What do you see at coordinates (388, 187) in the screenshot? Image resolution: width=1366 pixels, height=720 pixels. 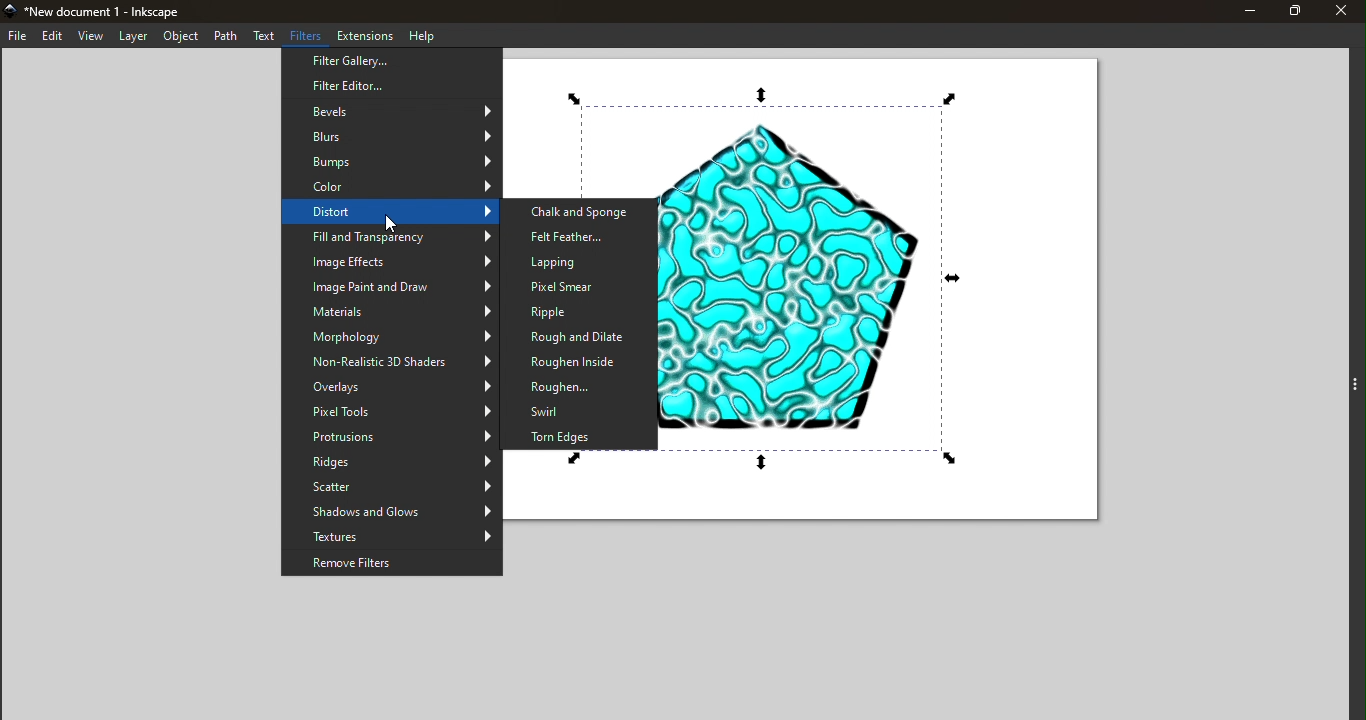 I see `Color` at bounding box center [388, 187].